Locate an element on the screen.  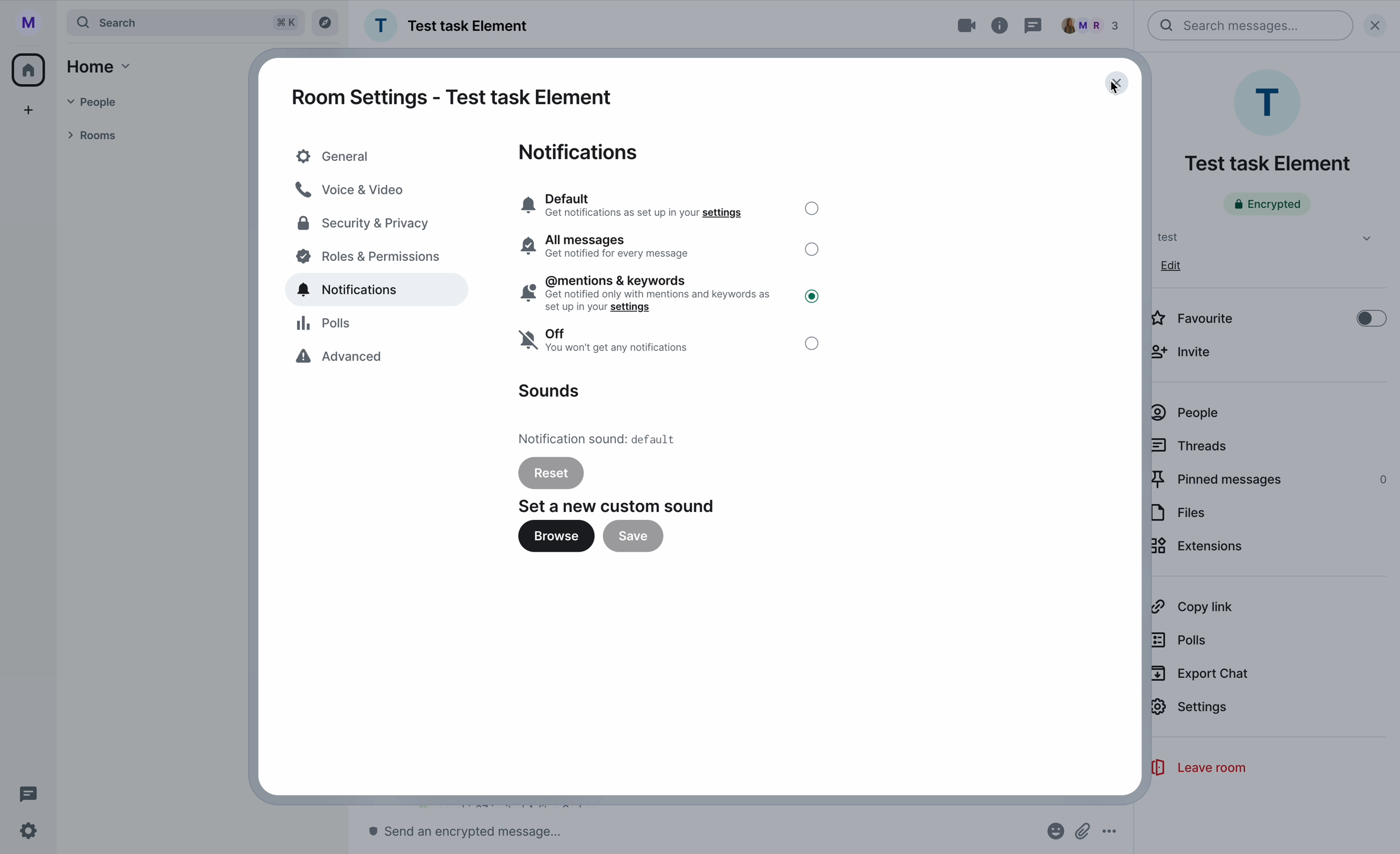
general is located at coordinates (374, 156).